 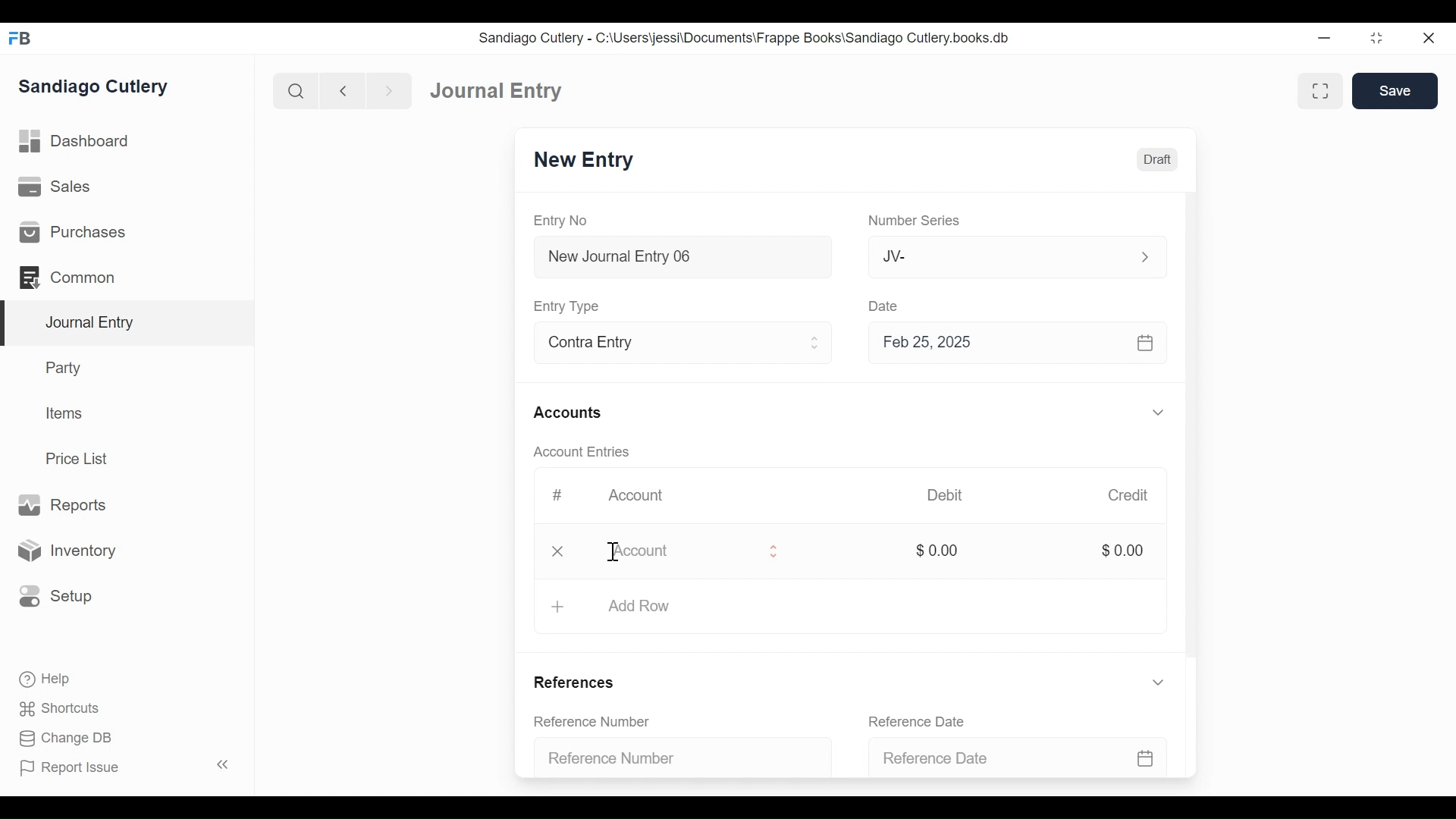 What do you see at coordinates (884, 305) in the screenshot?
I see `Date` at bounding box center [884, 305].